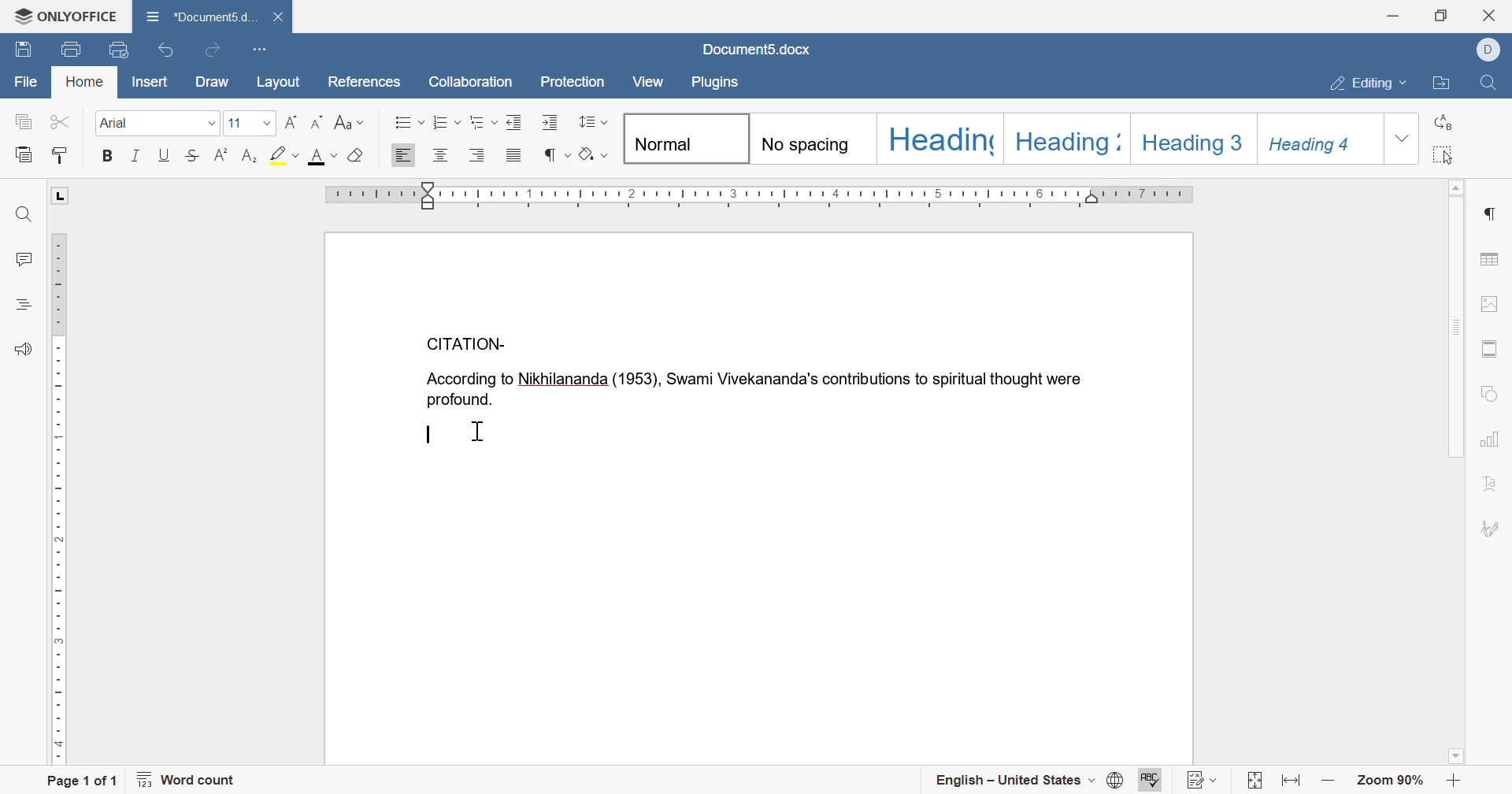 This screenshot has width=1512, height=794. What do you see at coordinates (1488, 307) in the screenshot?
I see `image settings` at bounding box center [1488, 307].